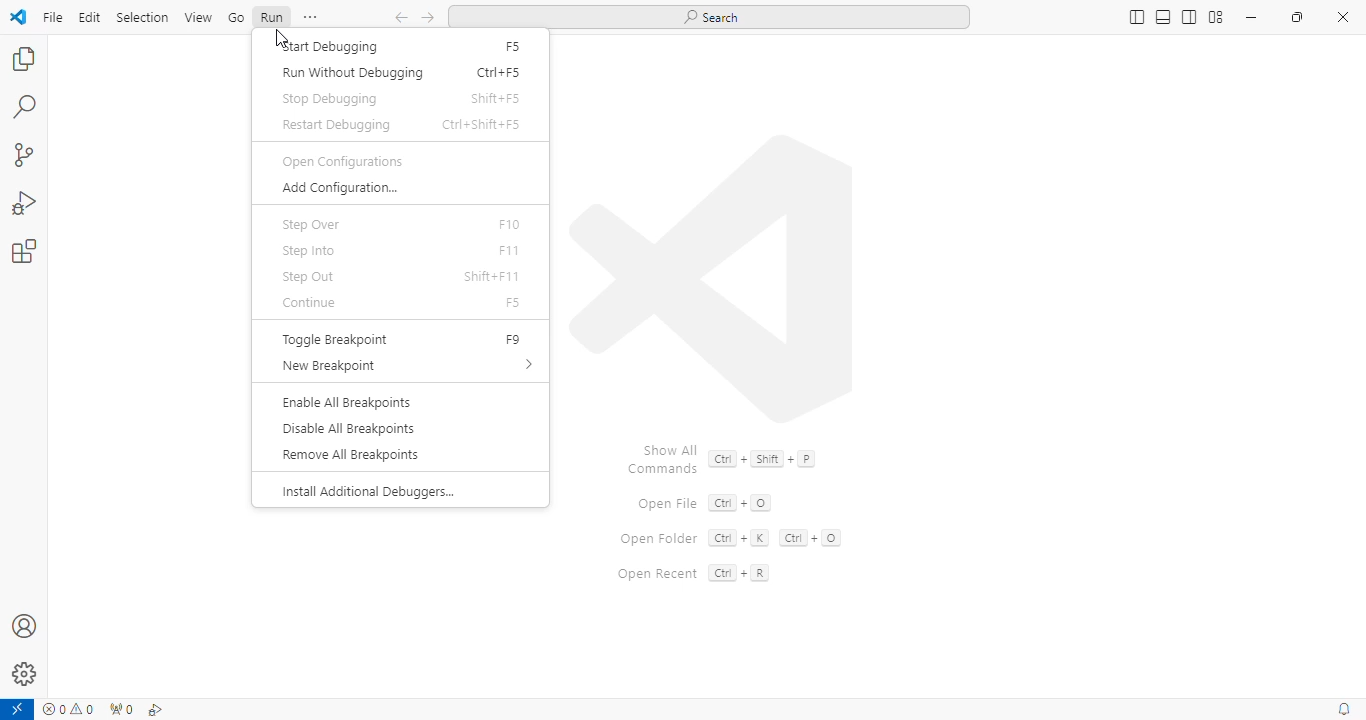 This screenshot has height=720, width=1366. Describe the element at coordinates (347, 428) in the screenshot. I see `disable all breakpoints` at that location.